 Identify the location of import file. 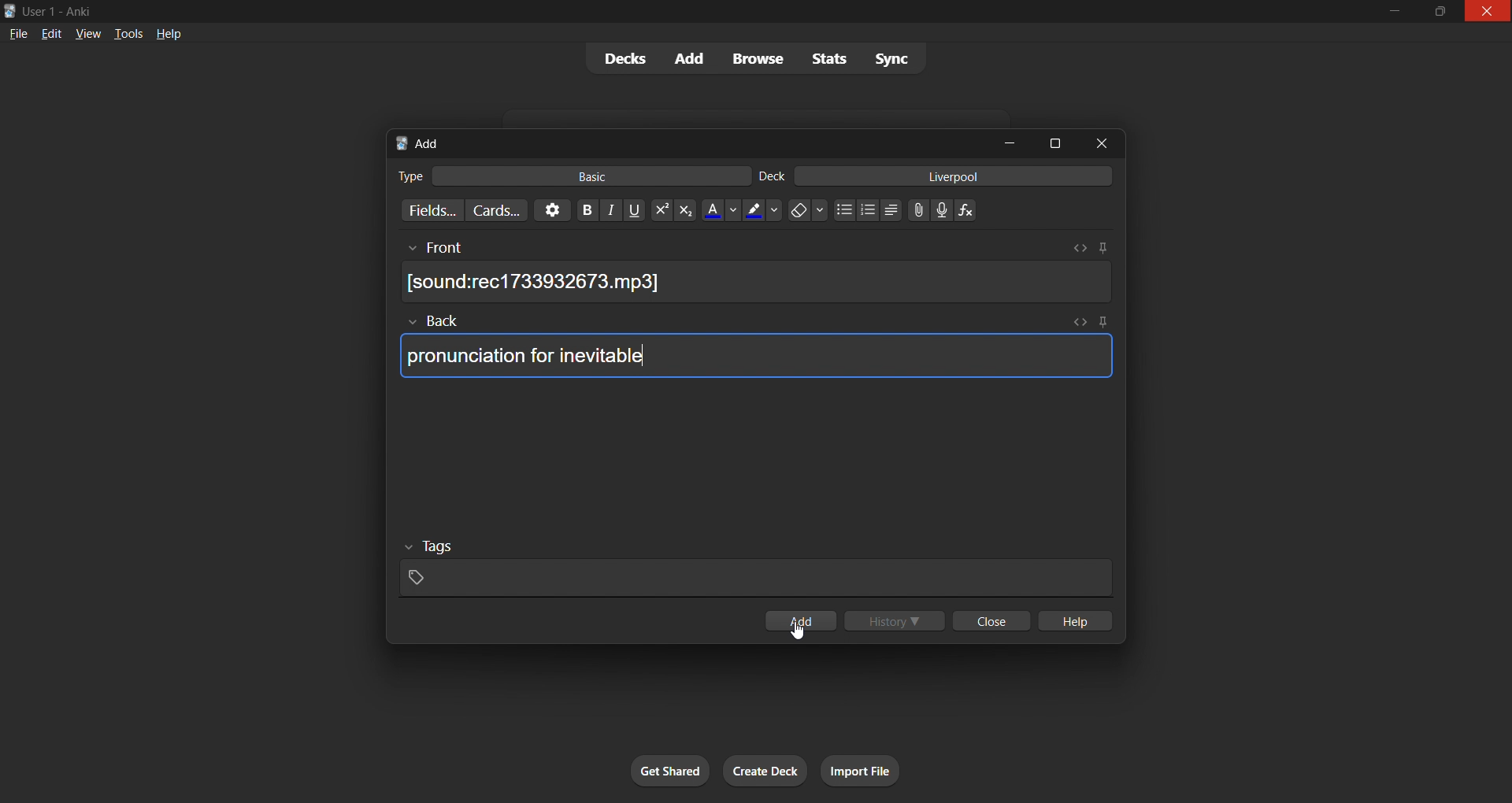
(876, 768).